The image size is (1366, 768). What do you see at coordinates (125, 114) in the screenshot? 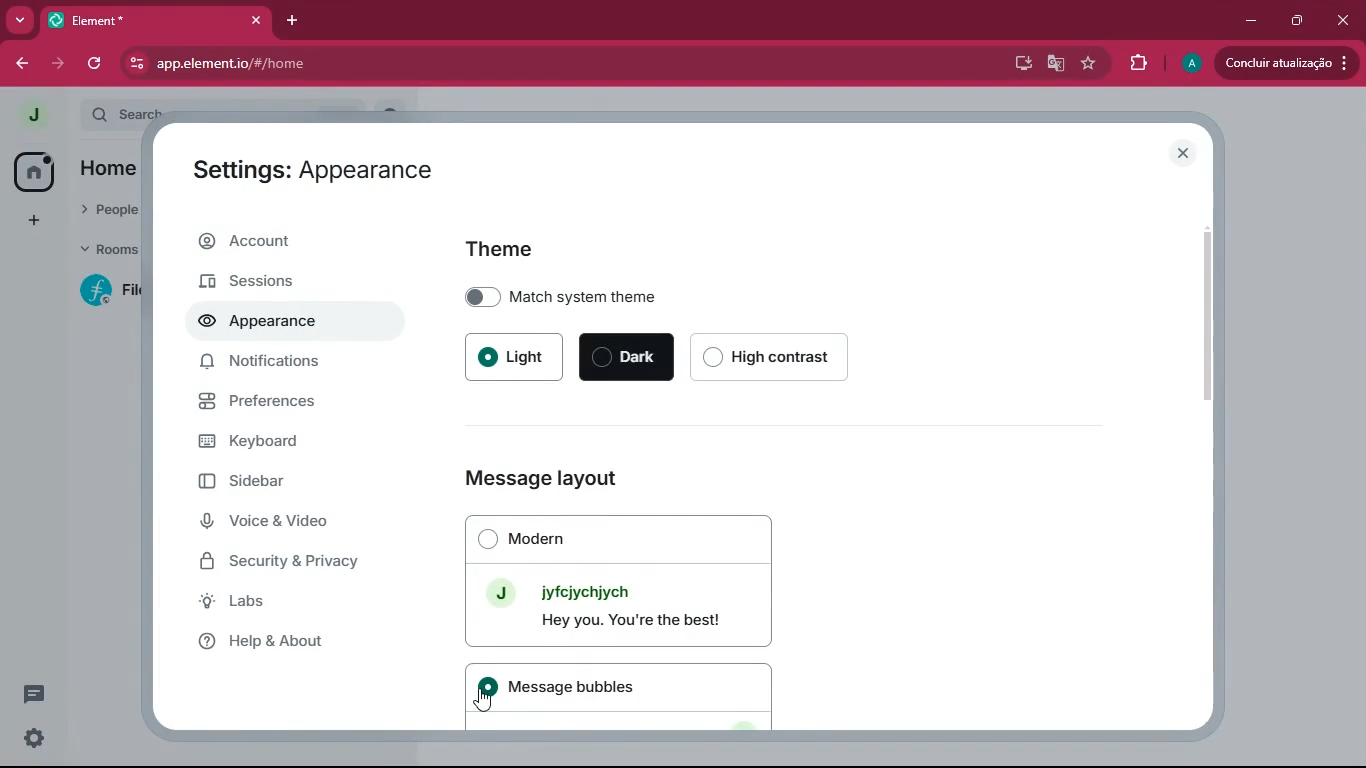
I see `search` at bounding box center [125, 114].